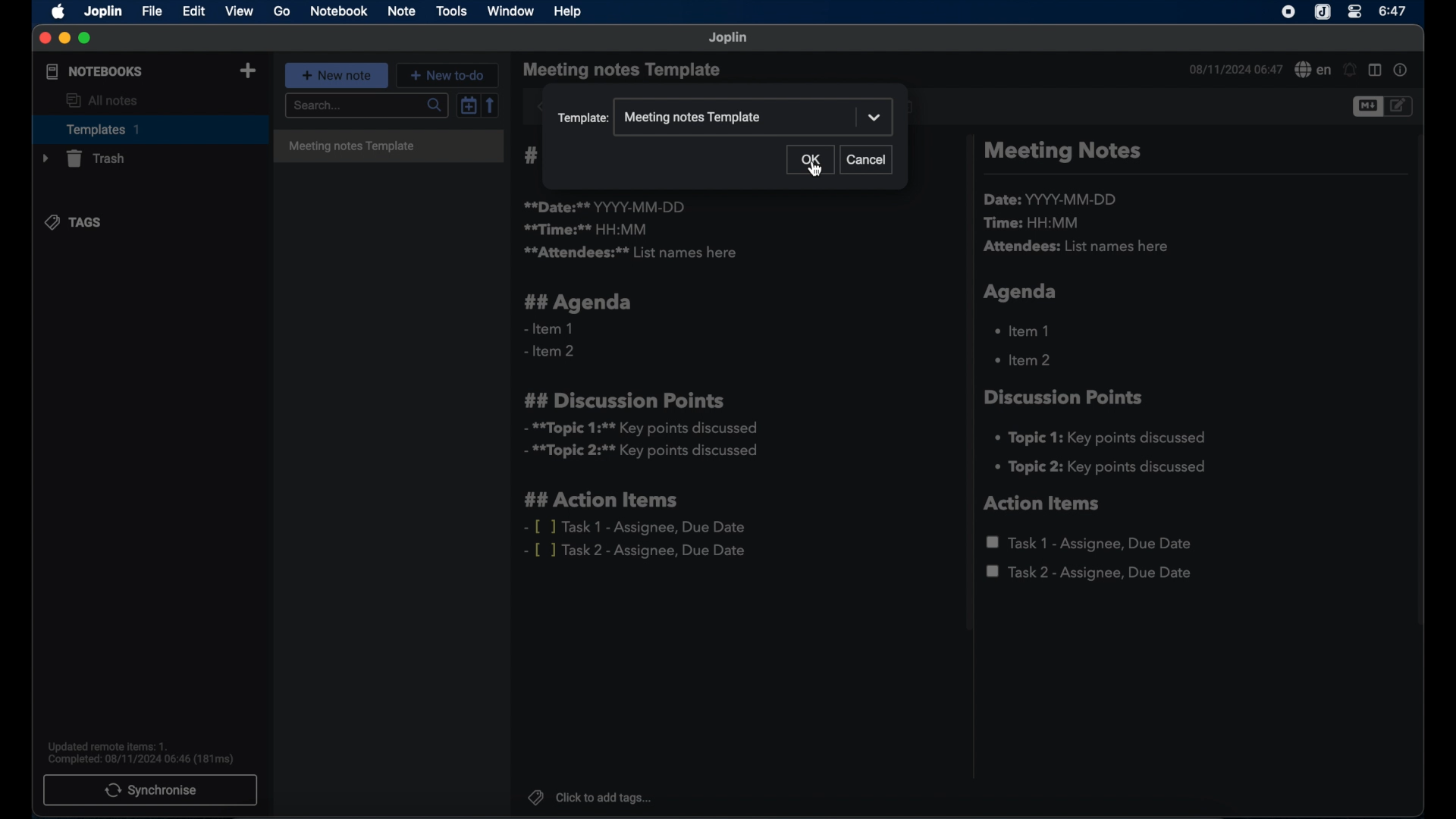  I want to click on agenda, so click(1021, 292).